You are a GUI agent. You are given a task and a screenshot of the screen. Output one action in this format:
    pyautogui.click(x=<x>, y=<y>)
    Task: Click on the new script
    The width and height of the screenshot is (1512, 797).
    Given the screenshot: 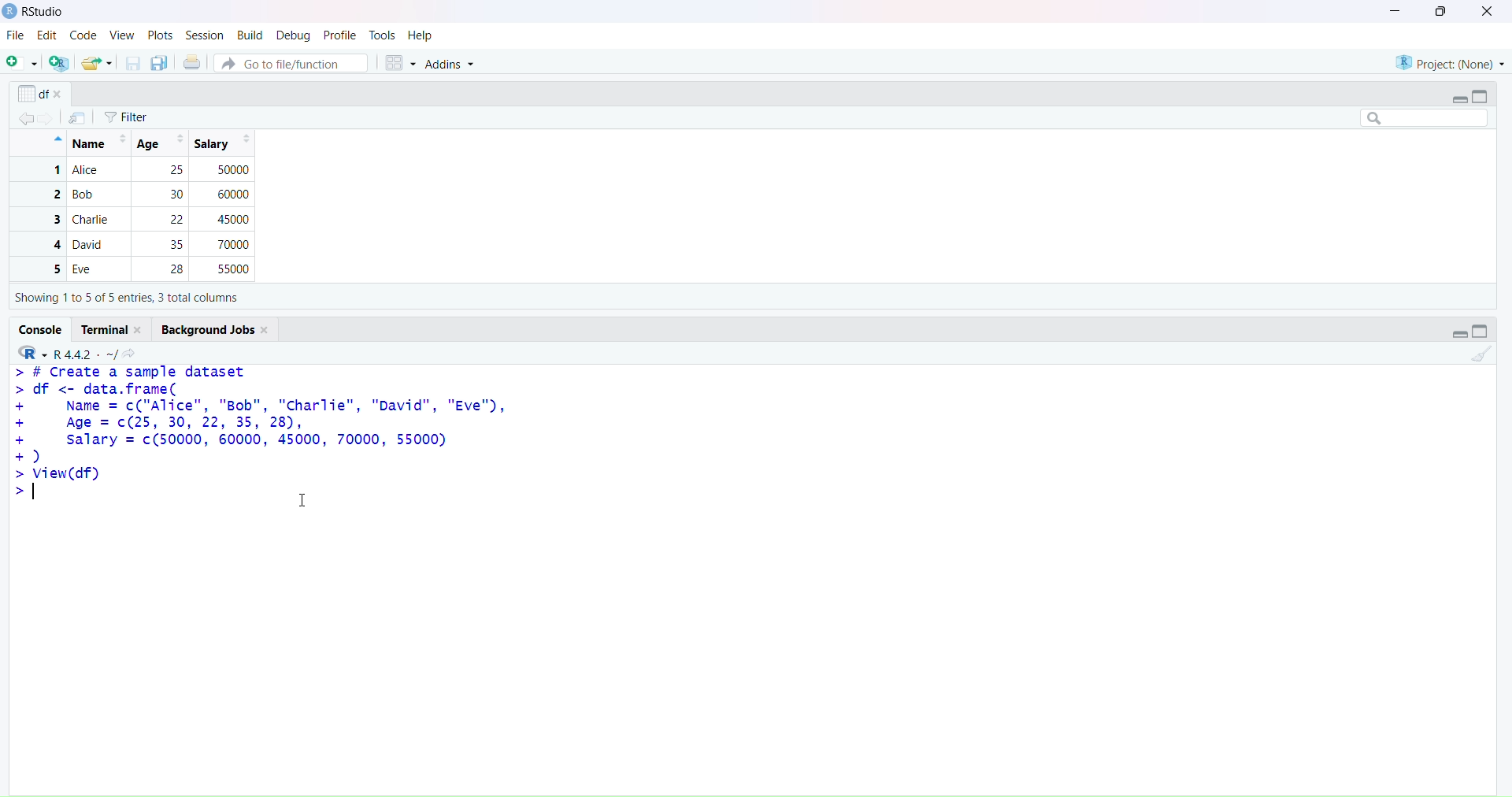 What is the action you would take?
    pyautogui.click(x=21, y=63)
    